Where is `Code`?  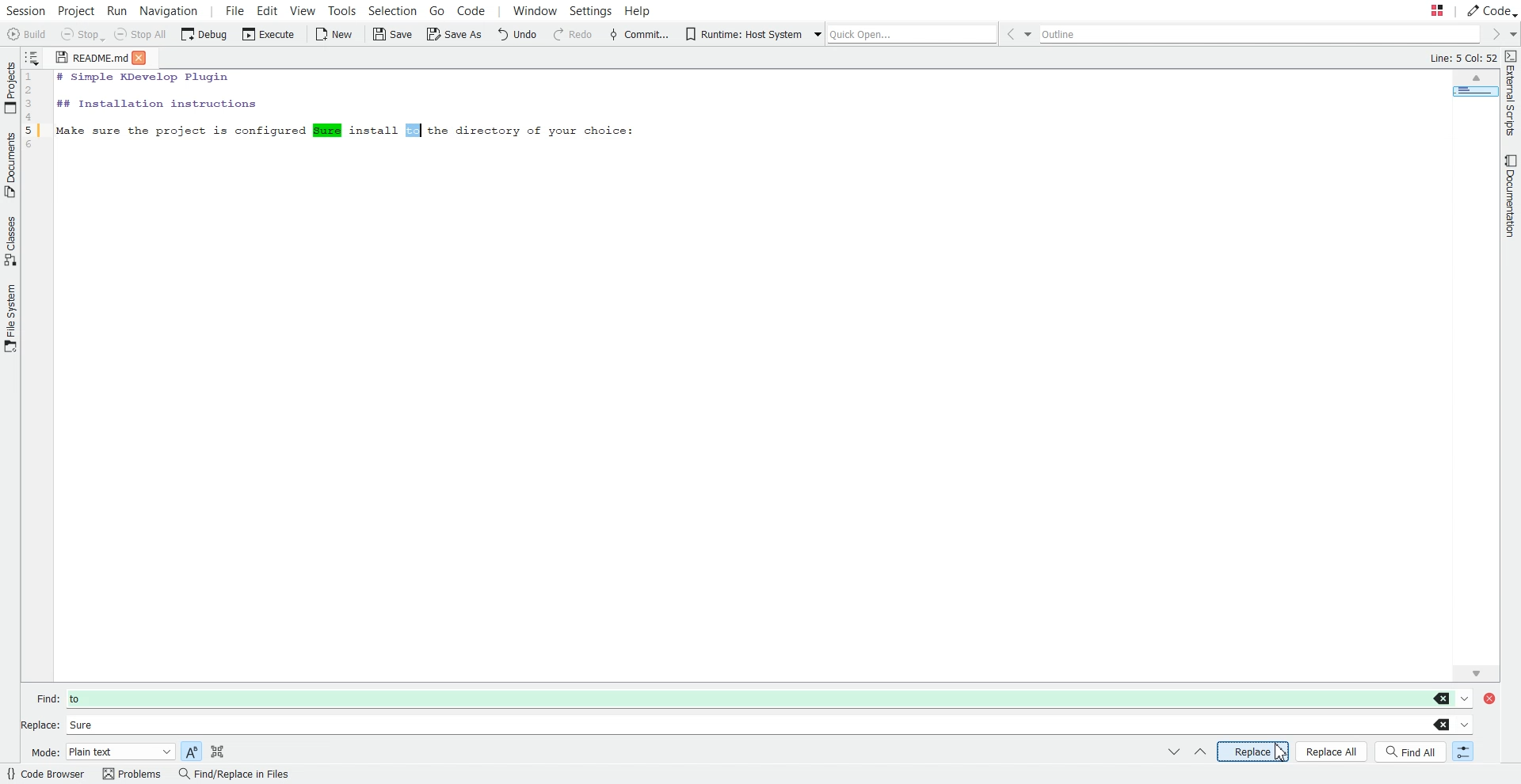
Code is located at coordinates (480, 11).